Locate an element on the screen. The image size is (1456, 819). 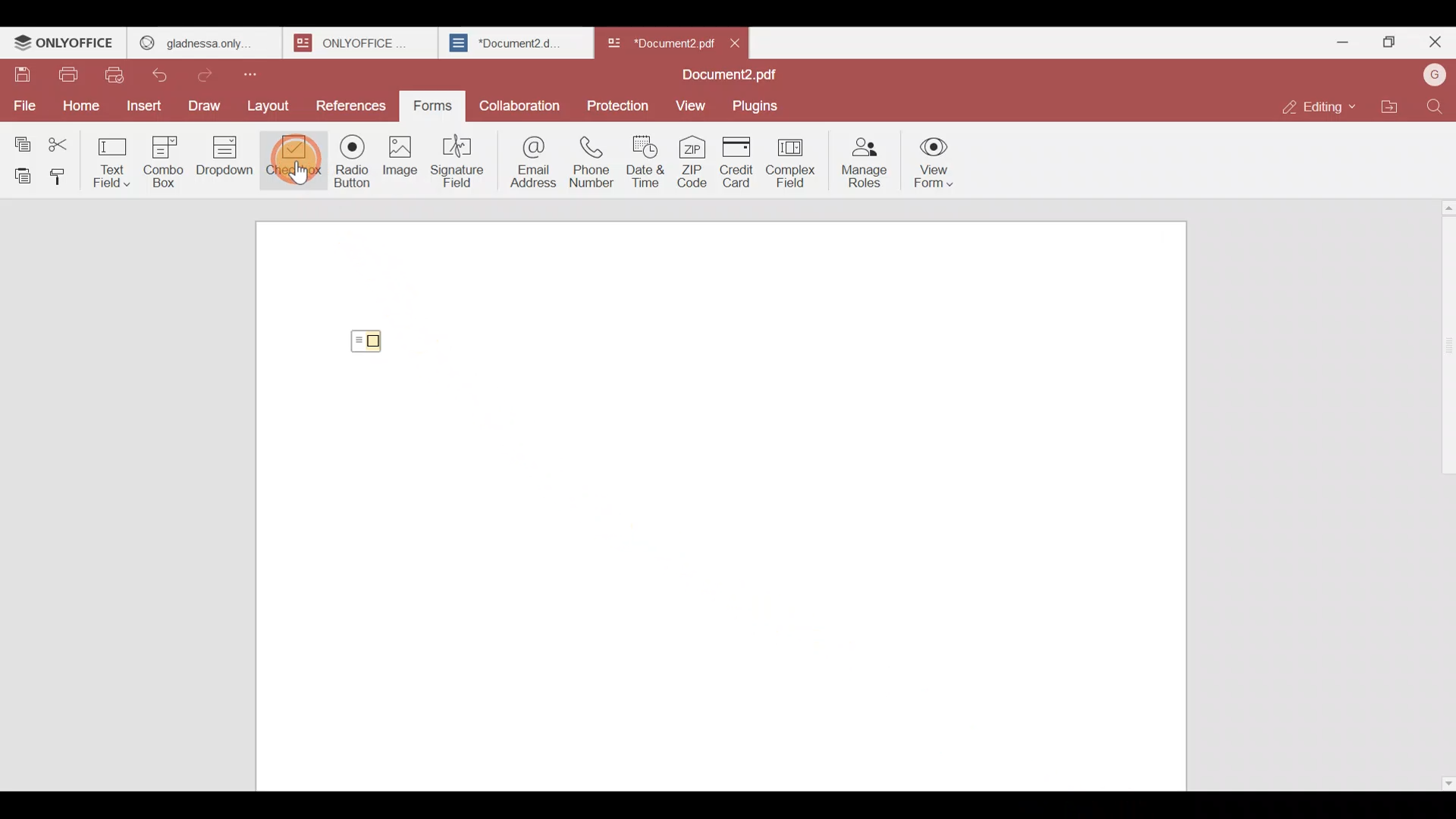
Email address is located at coordinates (530, 160).